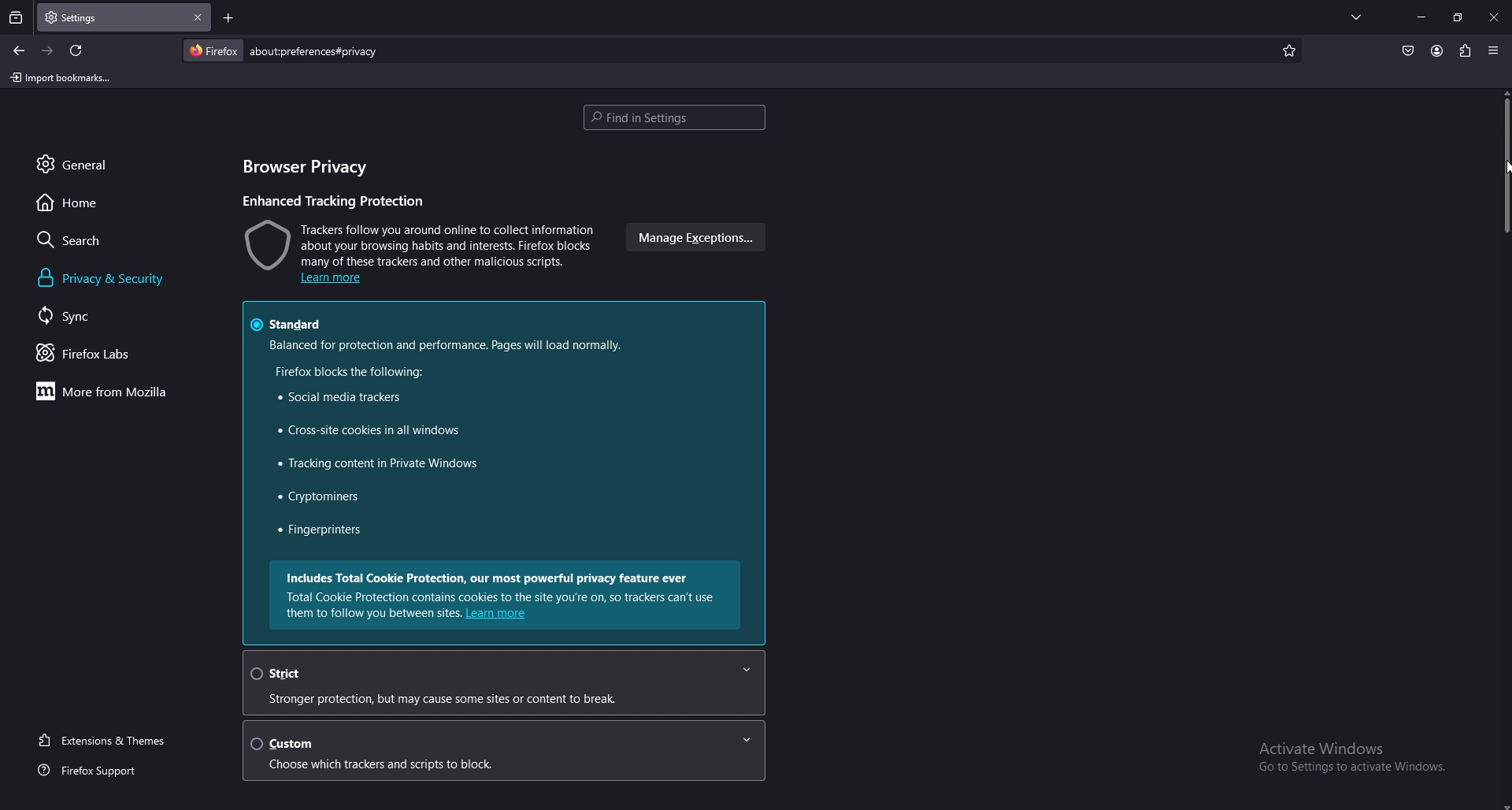 This screenshot has width=1512, height=810. What do you see at coordinates (20, 51) in the screenshot?
I see `backward` at bounding box center [20, 51].